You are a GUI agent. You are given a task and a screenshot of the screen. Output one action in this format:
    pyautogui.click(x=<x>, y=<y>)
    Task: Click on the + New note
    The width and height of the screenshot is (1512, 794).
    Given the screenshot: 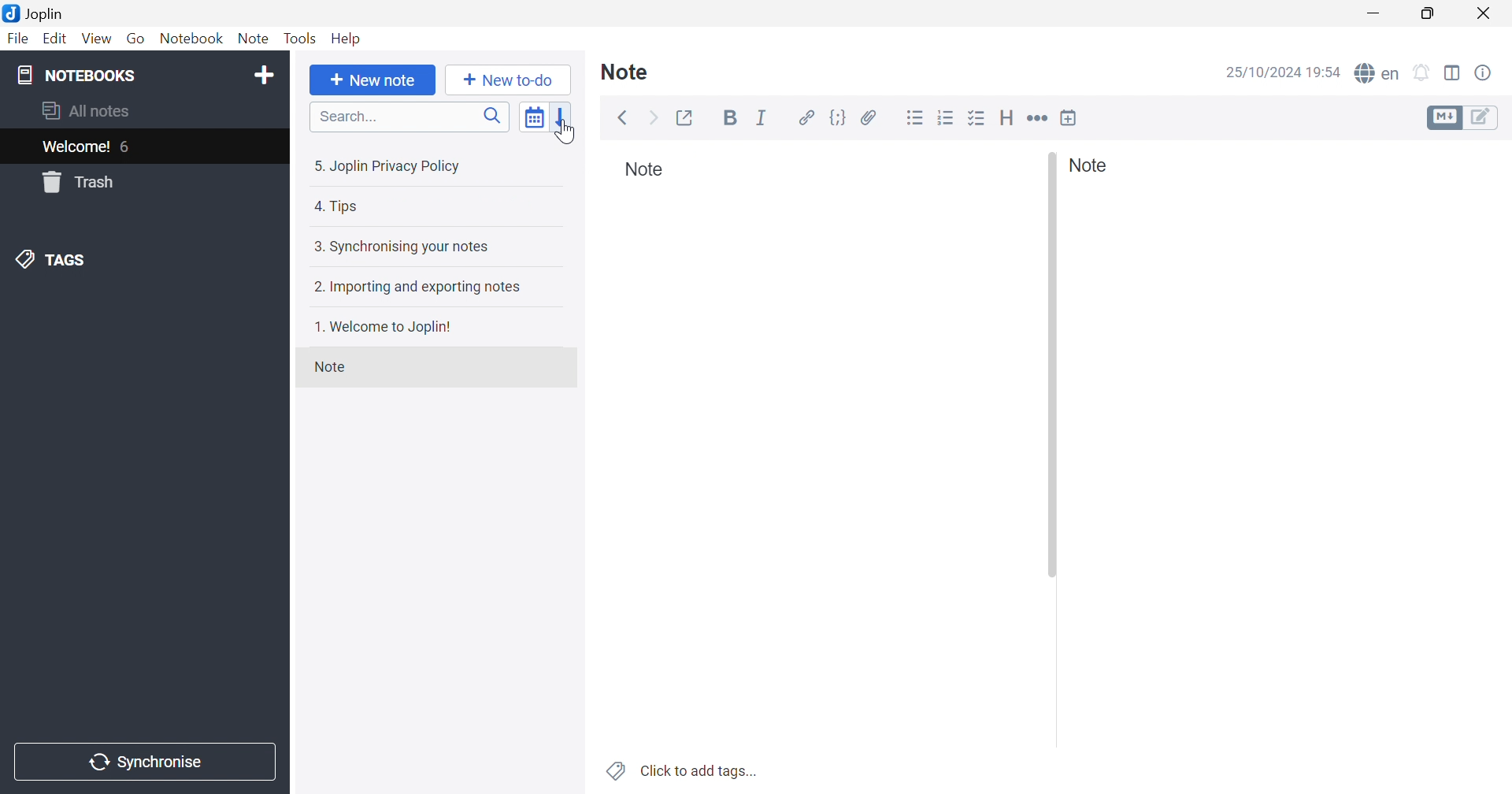 What is the action you would take?
    pyautogui.click(x=372, y=82)
    